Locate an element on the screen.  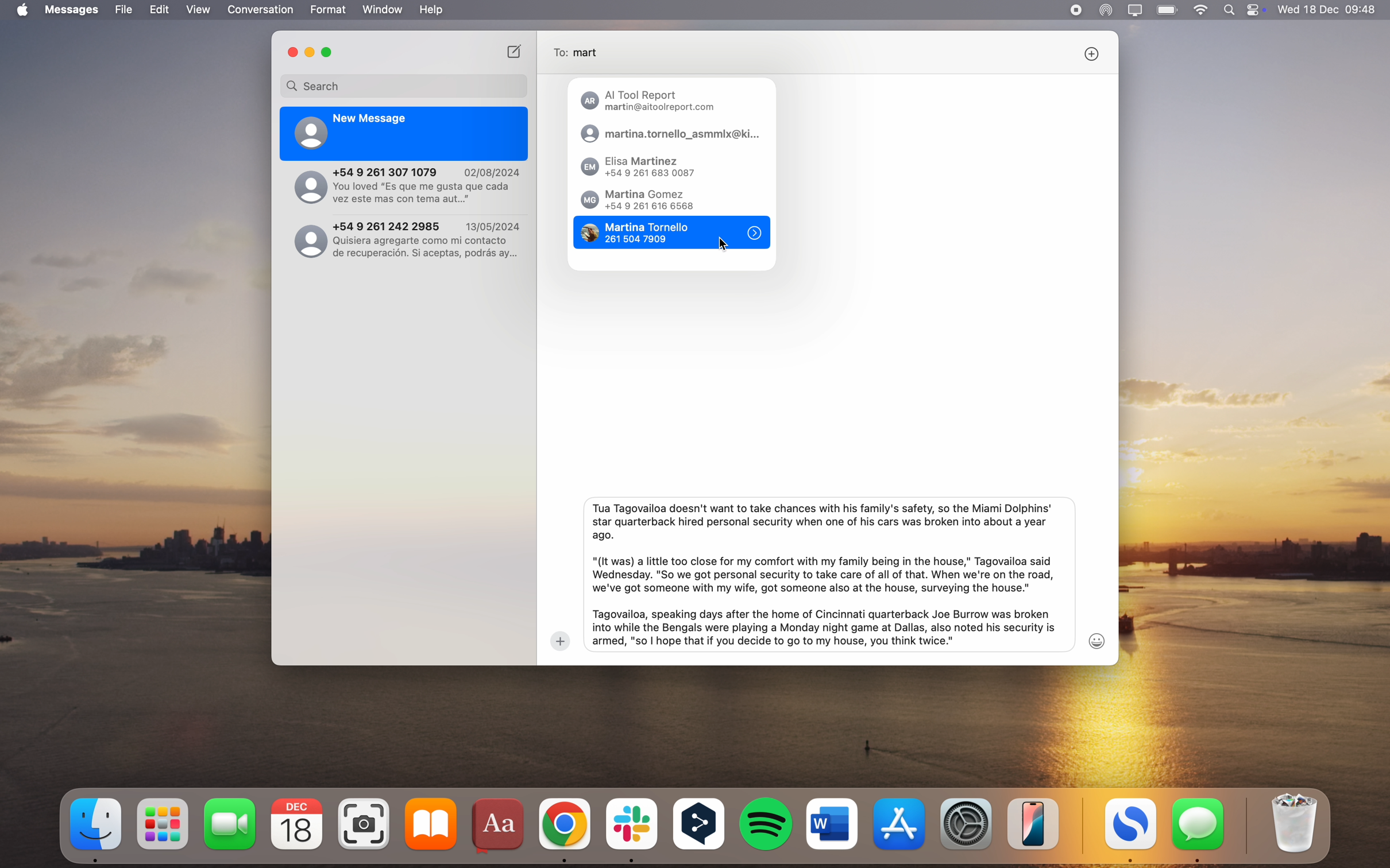
edit is located at coordinates (159, 10).